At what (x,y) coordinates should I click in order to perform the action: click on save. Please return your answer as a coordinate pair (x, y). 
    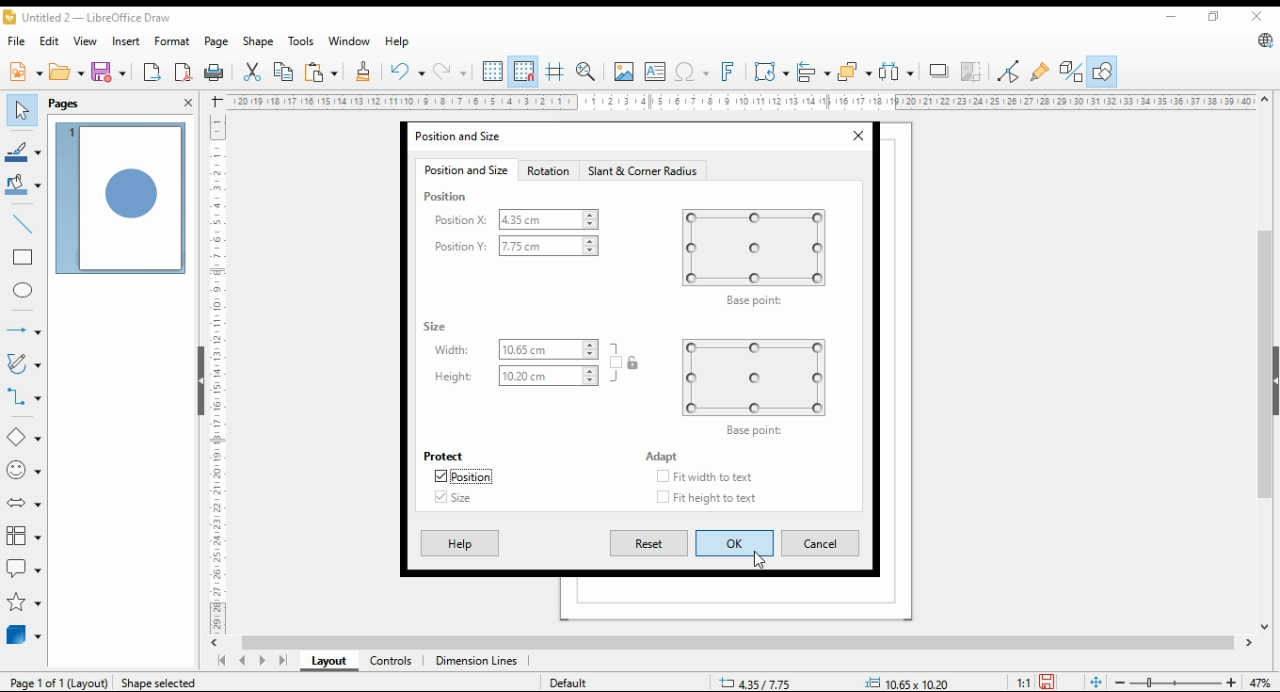
    Looking at the image, I should click on (1047, 682).